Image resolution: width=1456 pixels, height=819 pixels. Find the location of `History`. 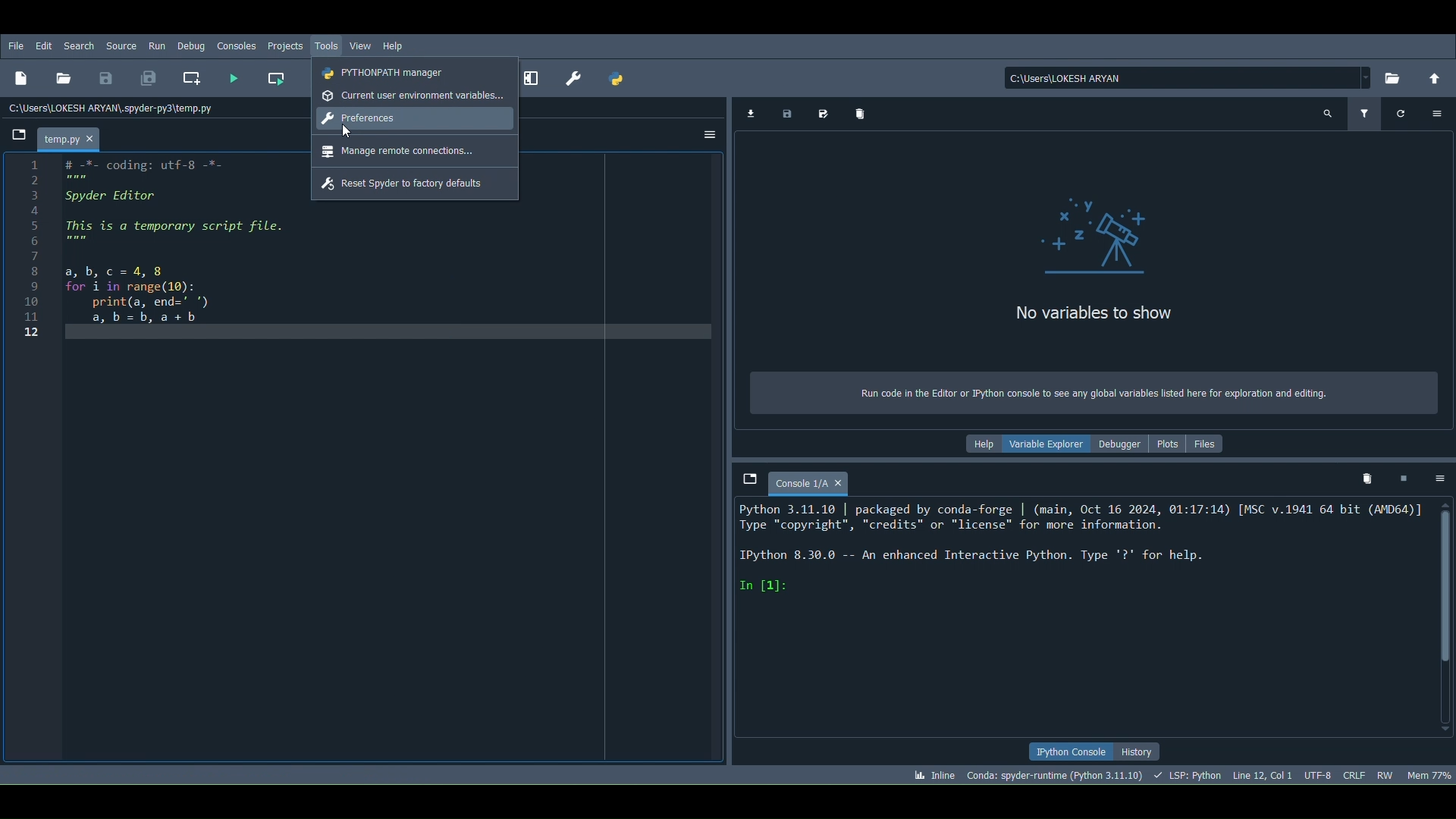

History is located at coordinates (1139, 752).